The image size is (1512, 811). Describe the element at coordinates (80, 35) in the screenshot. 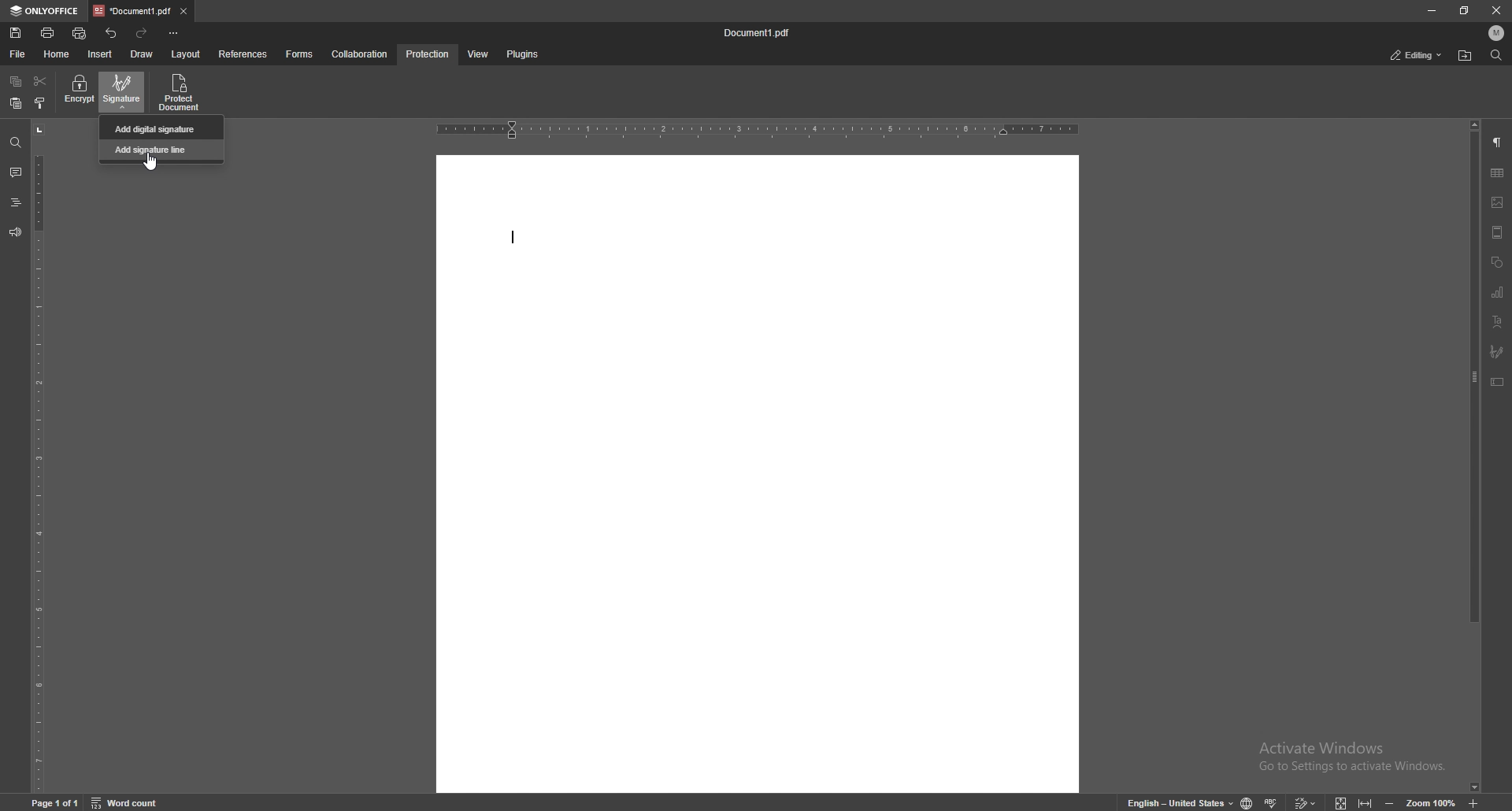

I see `quick print` at that location.